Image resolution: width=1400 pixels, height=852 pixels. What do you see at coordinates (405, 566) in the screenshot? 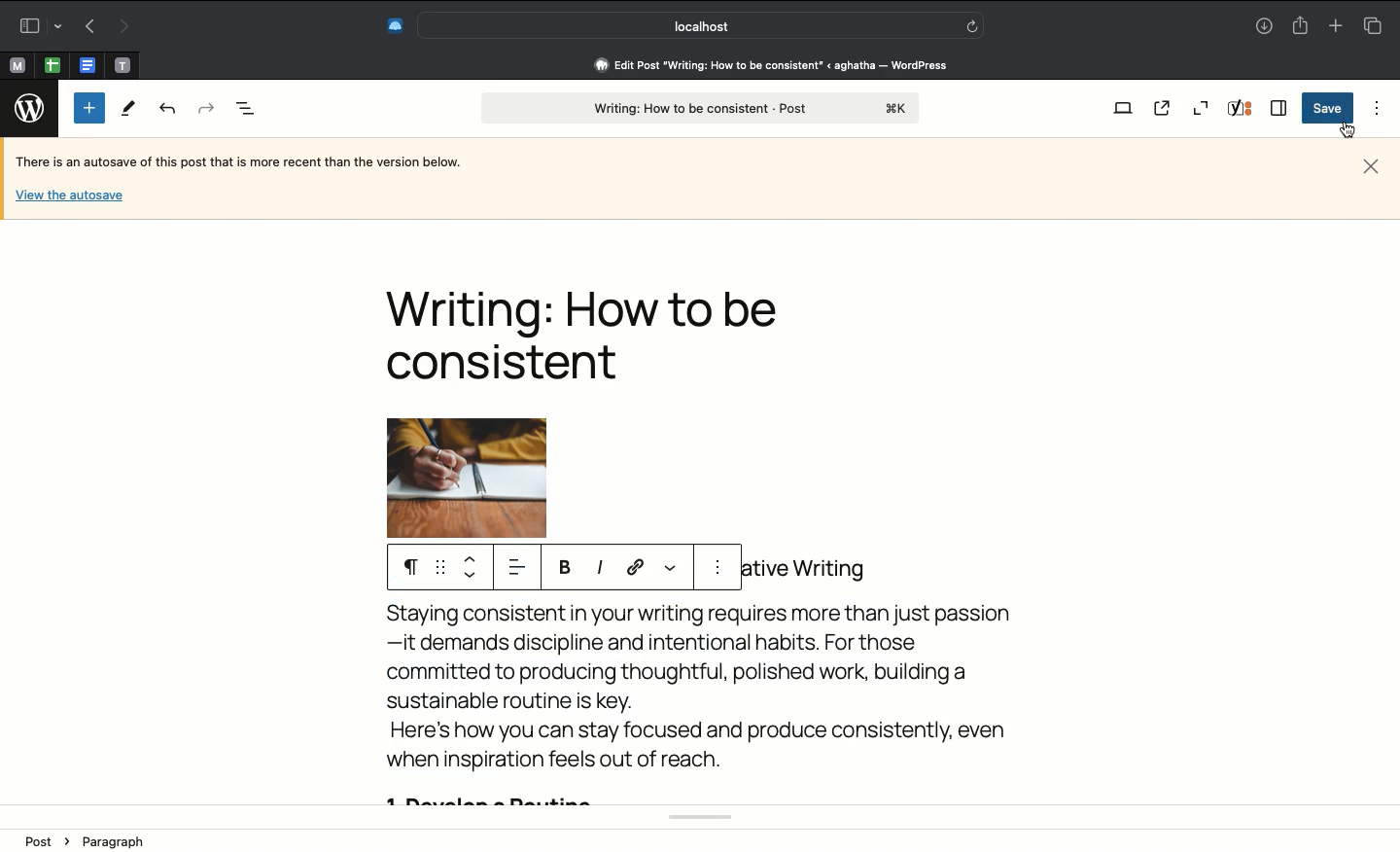
I see `Paragraph` at bounding box center [405, 566].